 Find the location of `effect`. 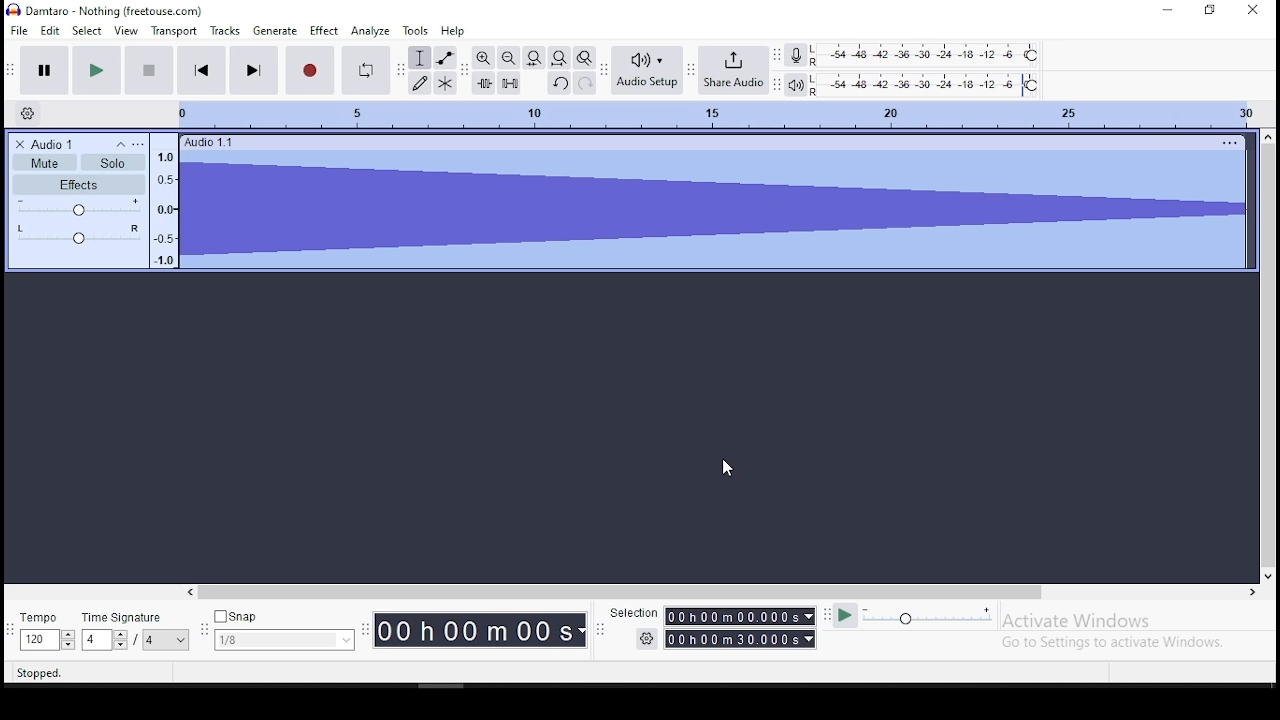

effect is located at coordinates (325, 31).